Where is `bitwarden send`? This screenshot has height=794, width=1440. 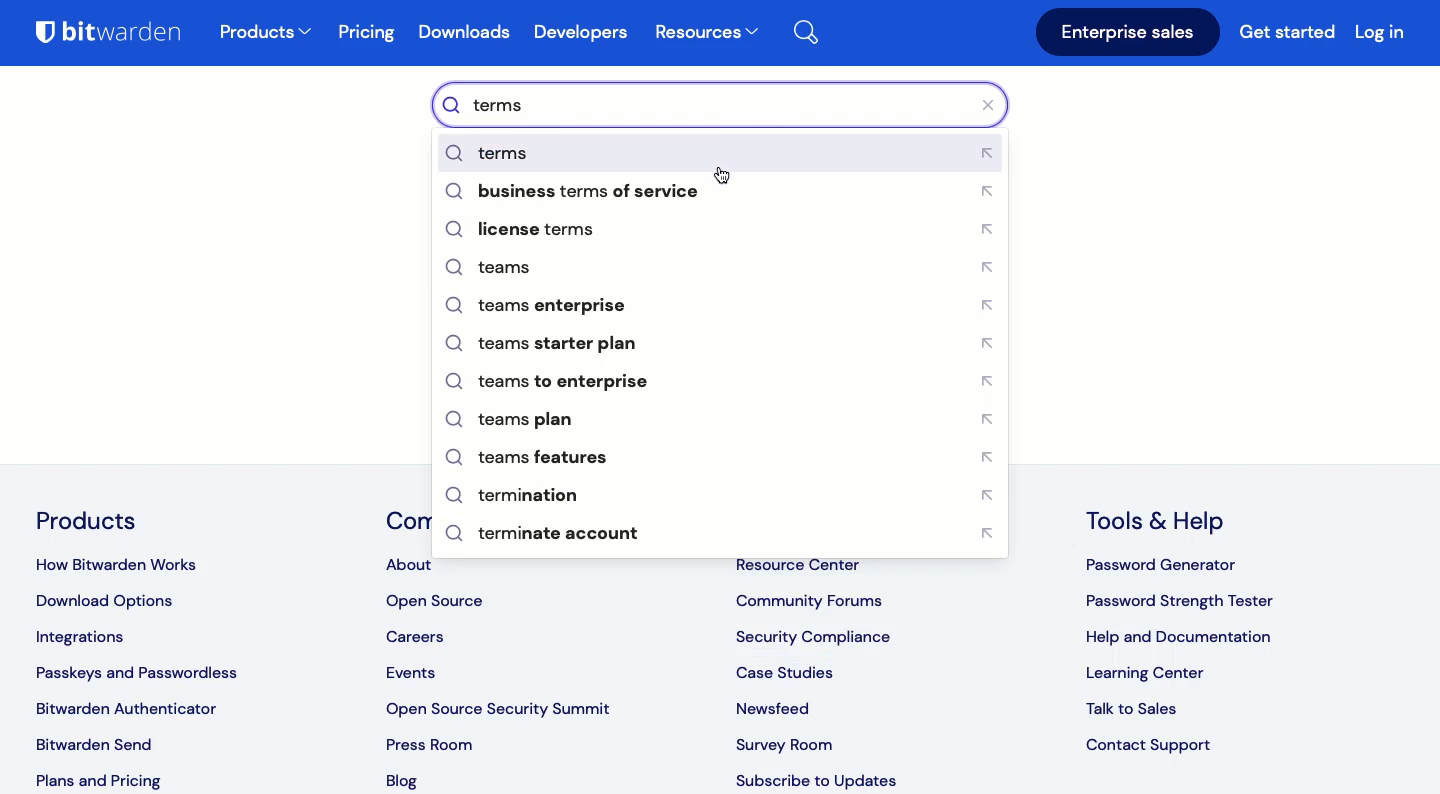
bitwarden send is located at coordinates (99, 744).